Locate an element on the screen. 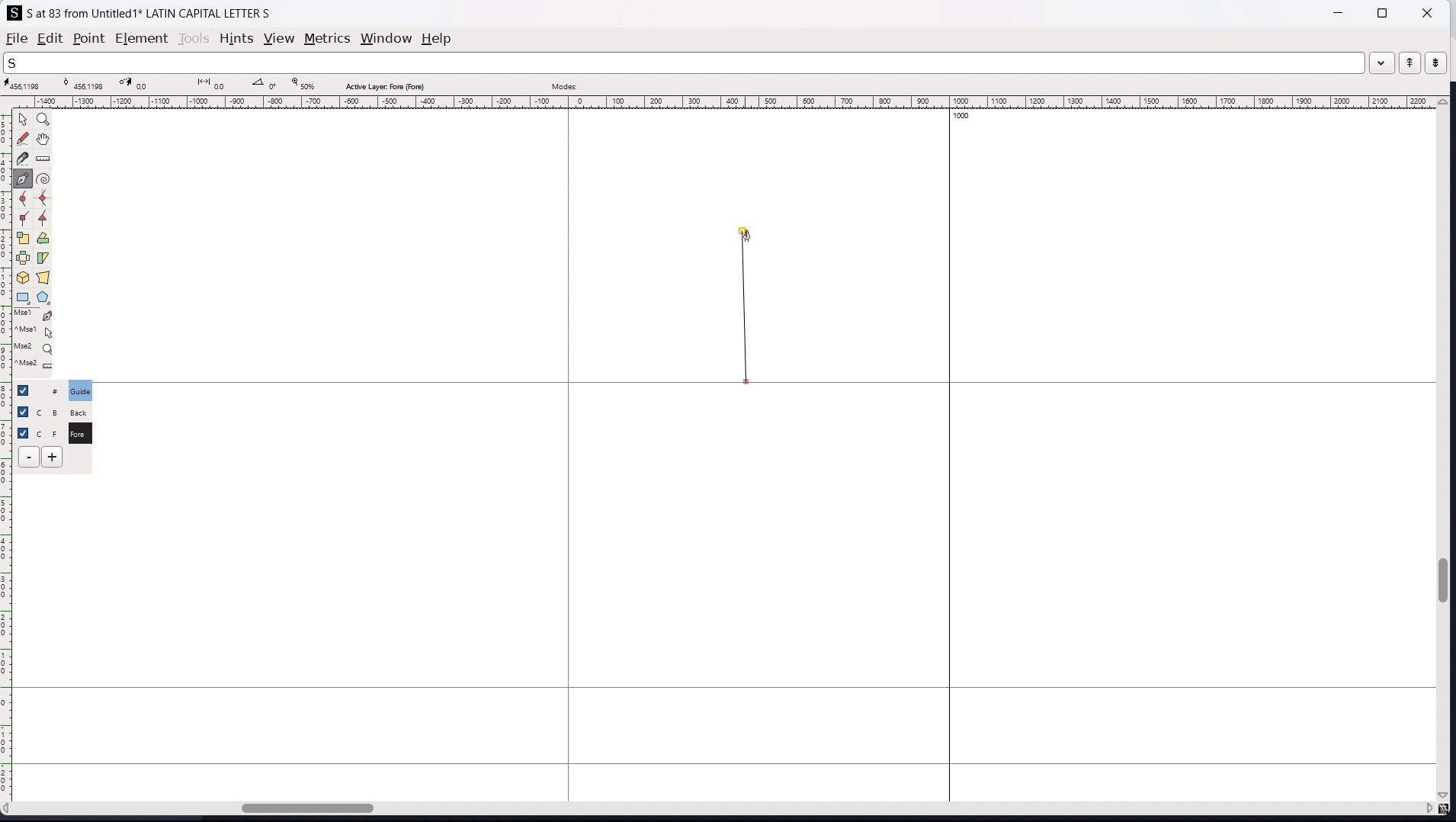  skew selection is located at coordinates (43, 259).